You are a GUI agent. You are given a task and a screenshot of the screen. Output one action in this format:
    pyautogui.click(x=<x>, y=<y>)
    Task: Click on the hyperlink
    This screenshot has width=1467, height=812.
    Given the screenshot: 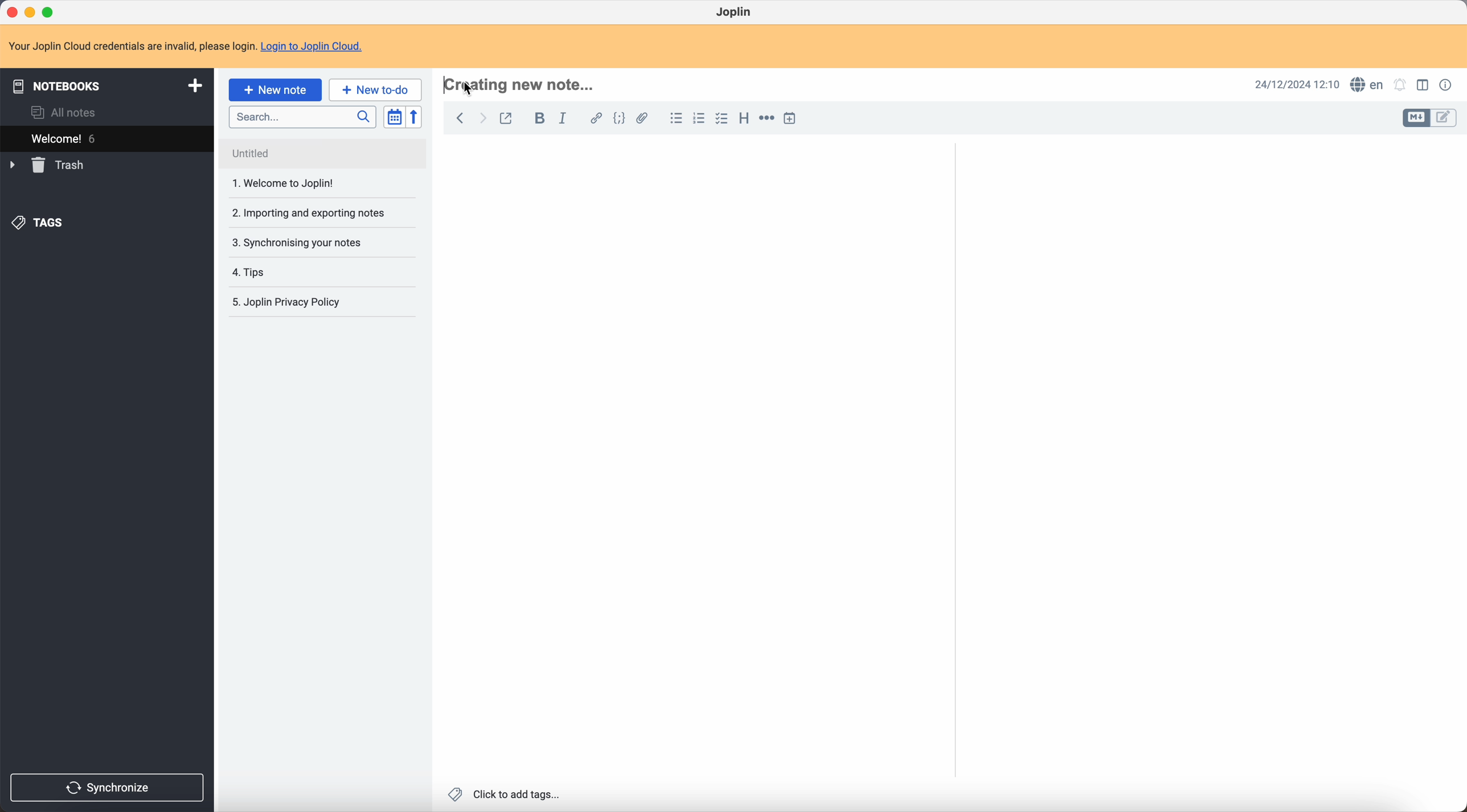 What is the action you would take?
    pyautogui.click(x=593, y=118)
    